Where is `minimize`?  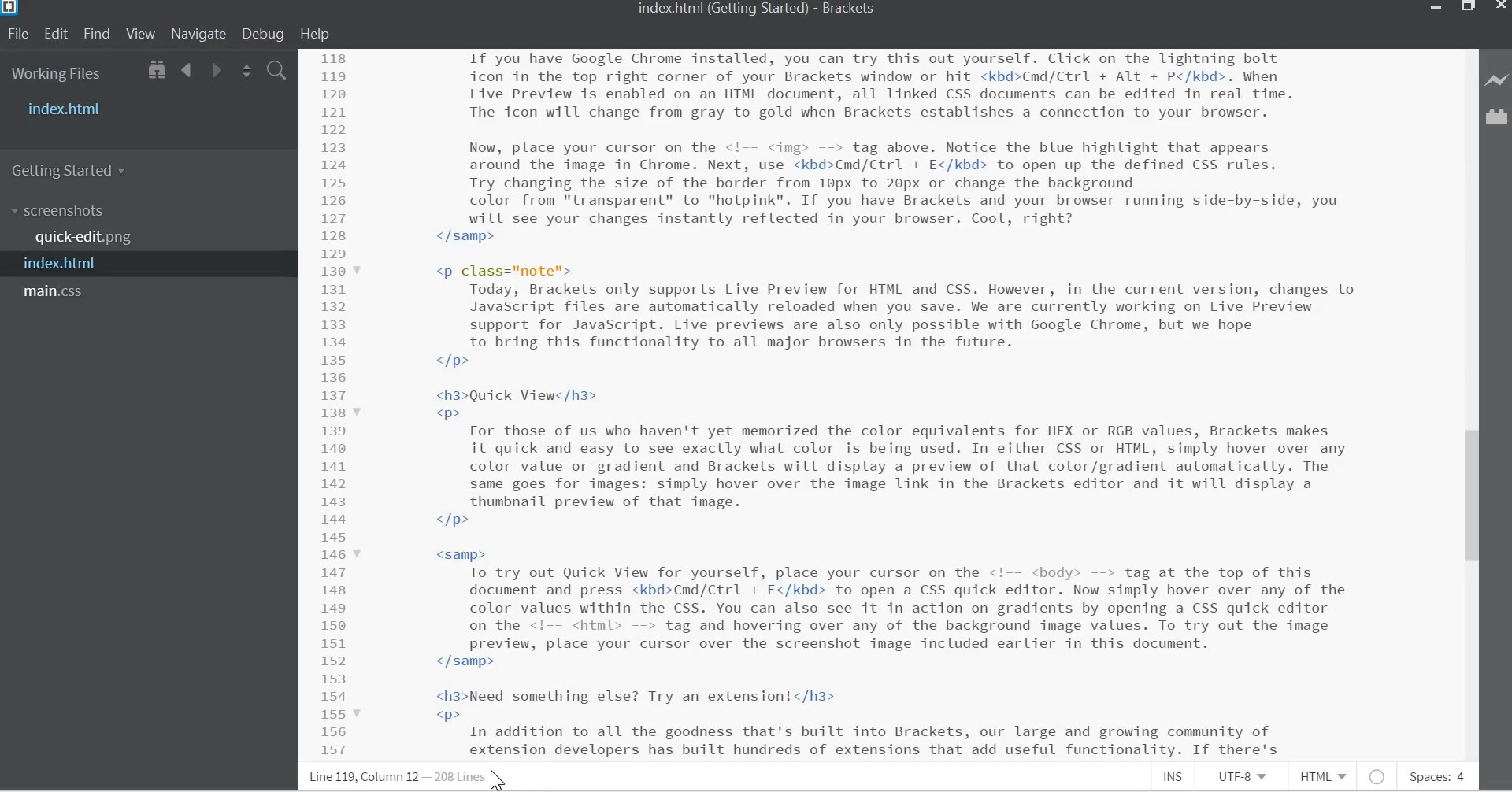
minimize is located at coordinates (1433, 7).